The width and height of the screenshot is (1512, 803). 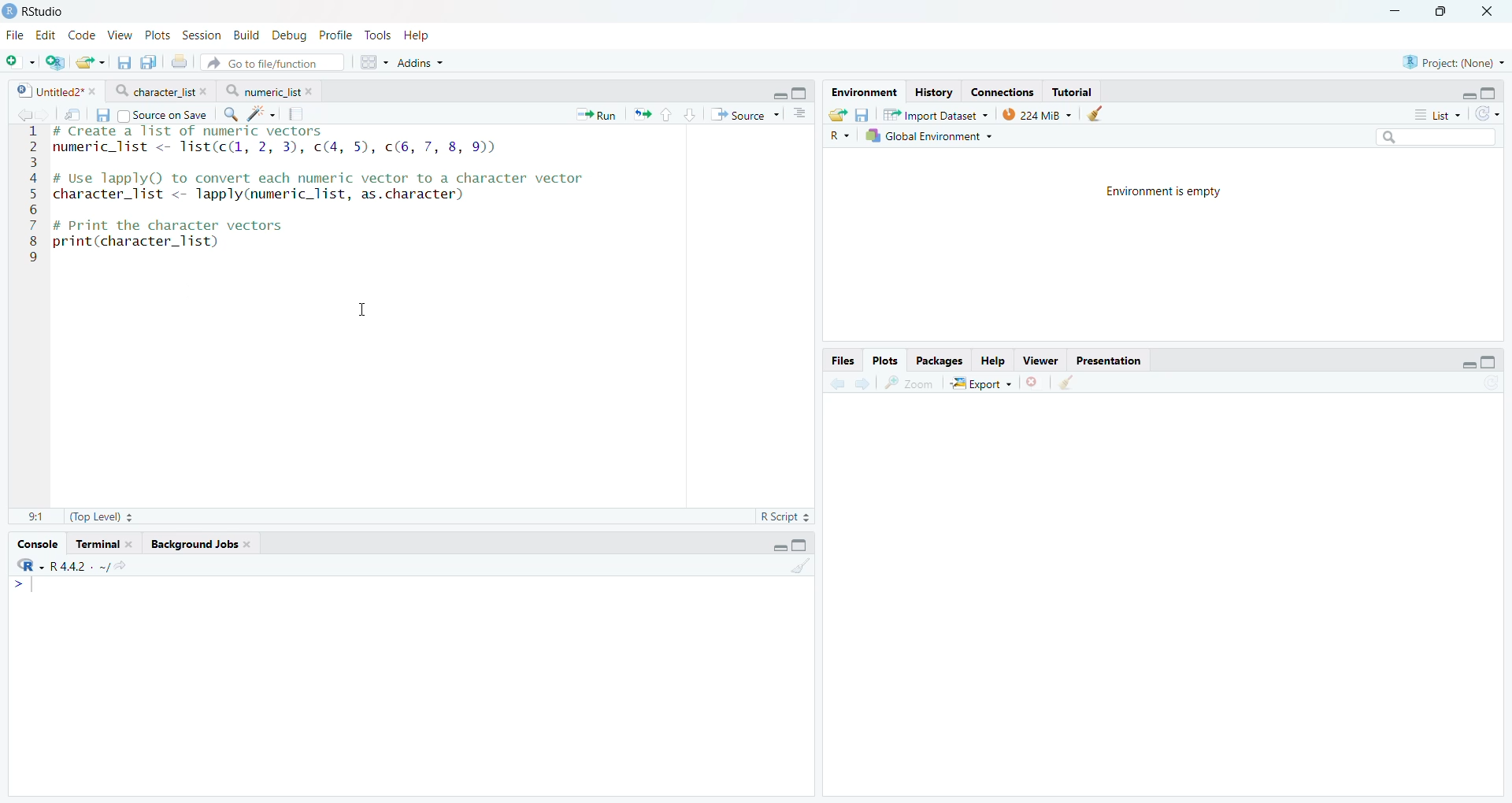 What do you see at coordinates (802, 92) in the screenshot?
I see `Full Height` at bounding box center [802, 92].